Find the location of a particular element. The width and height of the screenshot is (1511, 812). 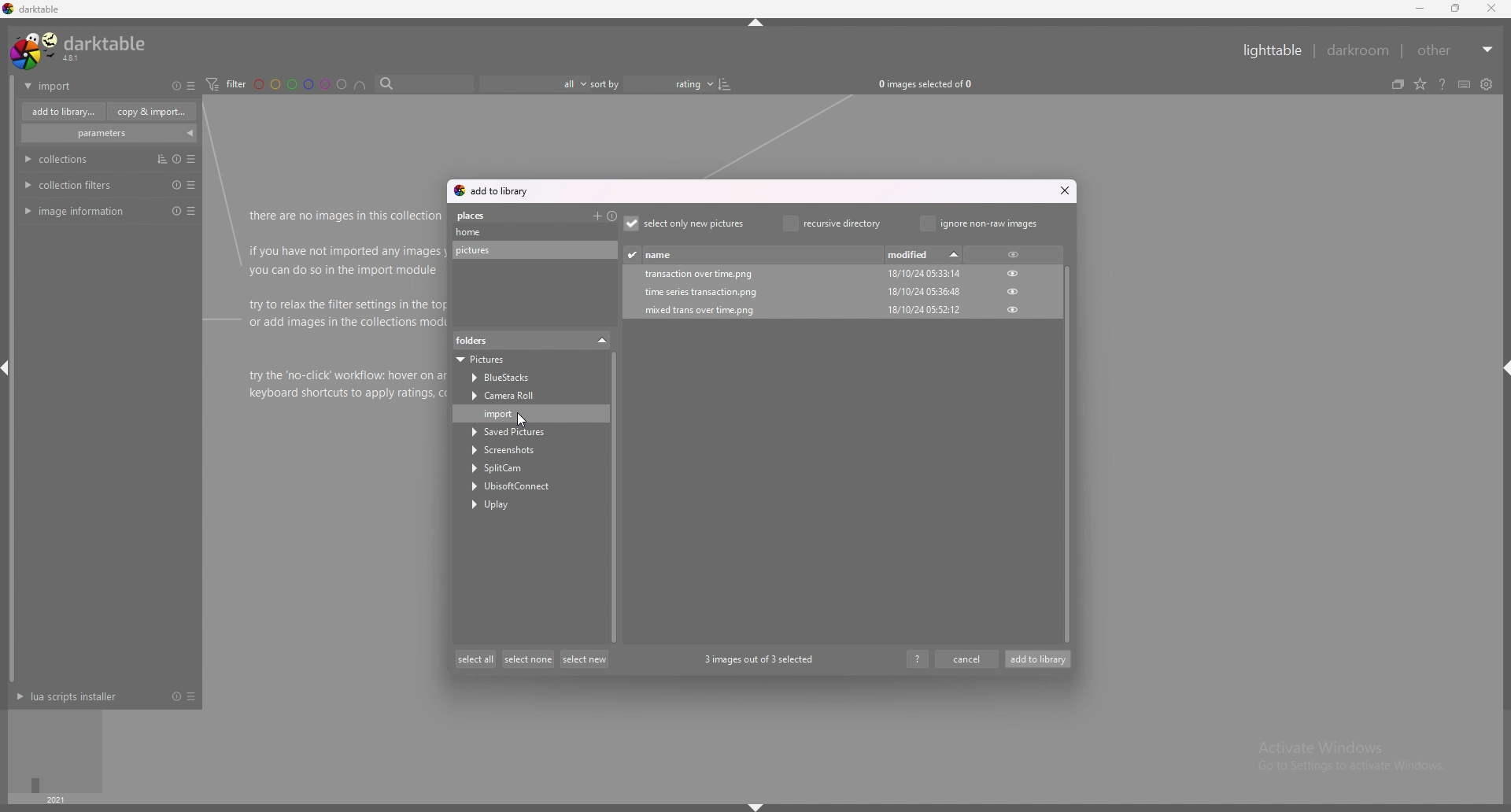

minimize is located at coordinates (1421, 9).